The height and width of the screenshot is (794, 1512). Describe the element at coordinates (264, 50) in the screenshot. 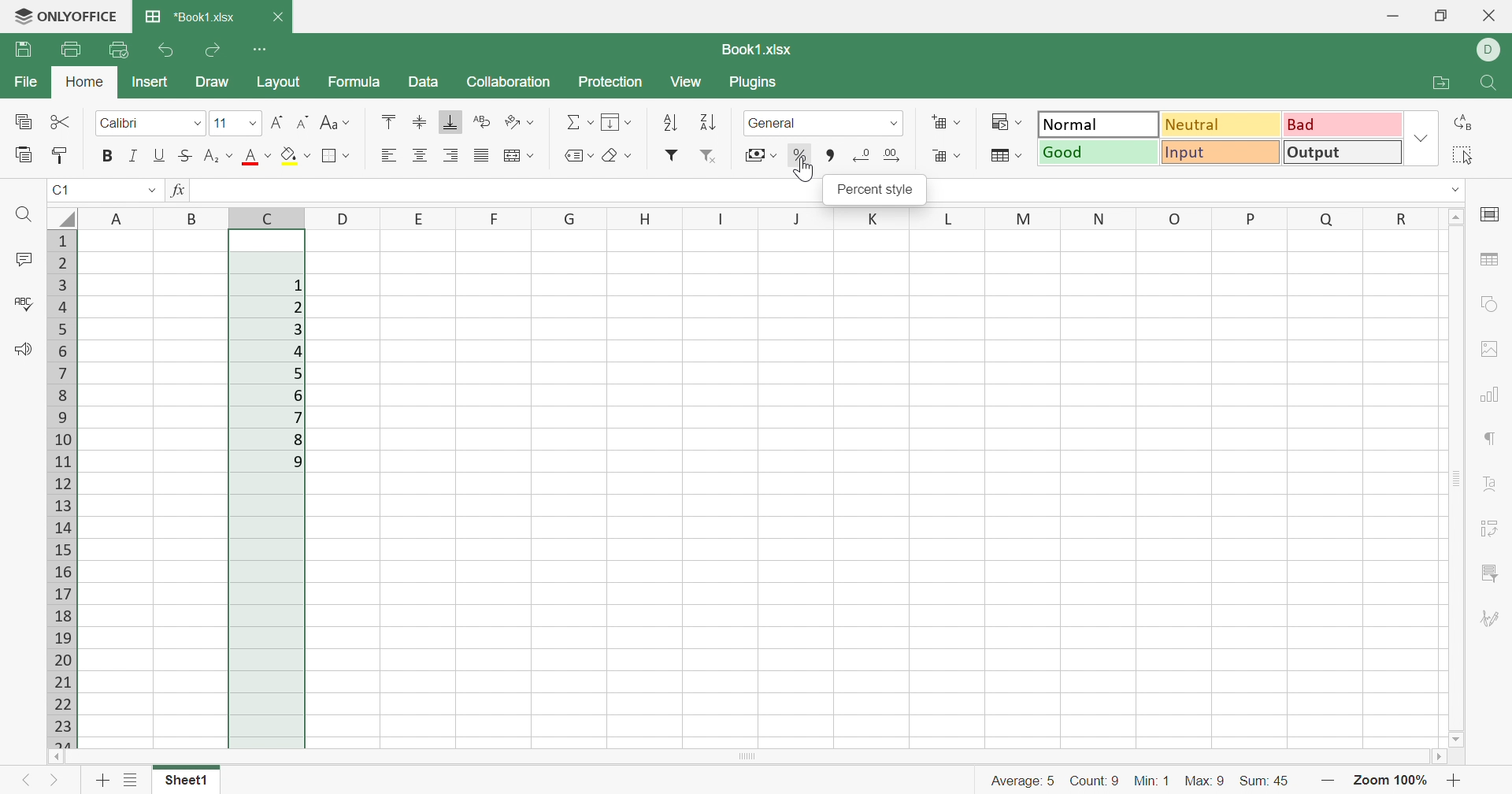

I see `Customize quick access toolbar` at that location.